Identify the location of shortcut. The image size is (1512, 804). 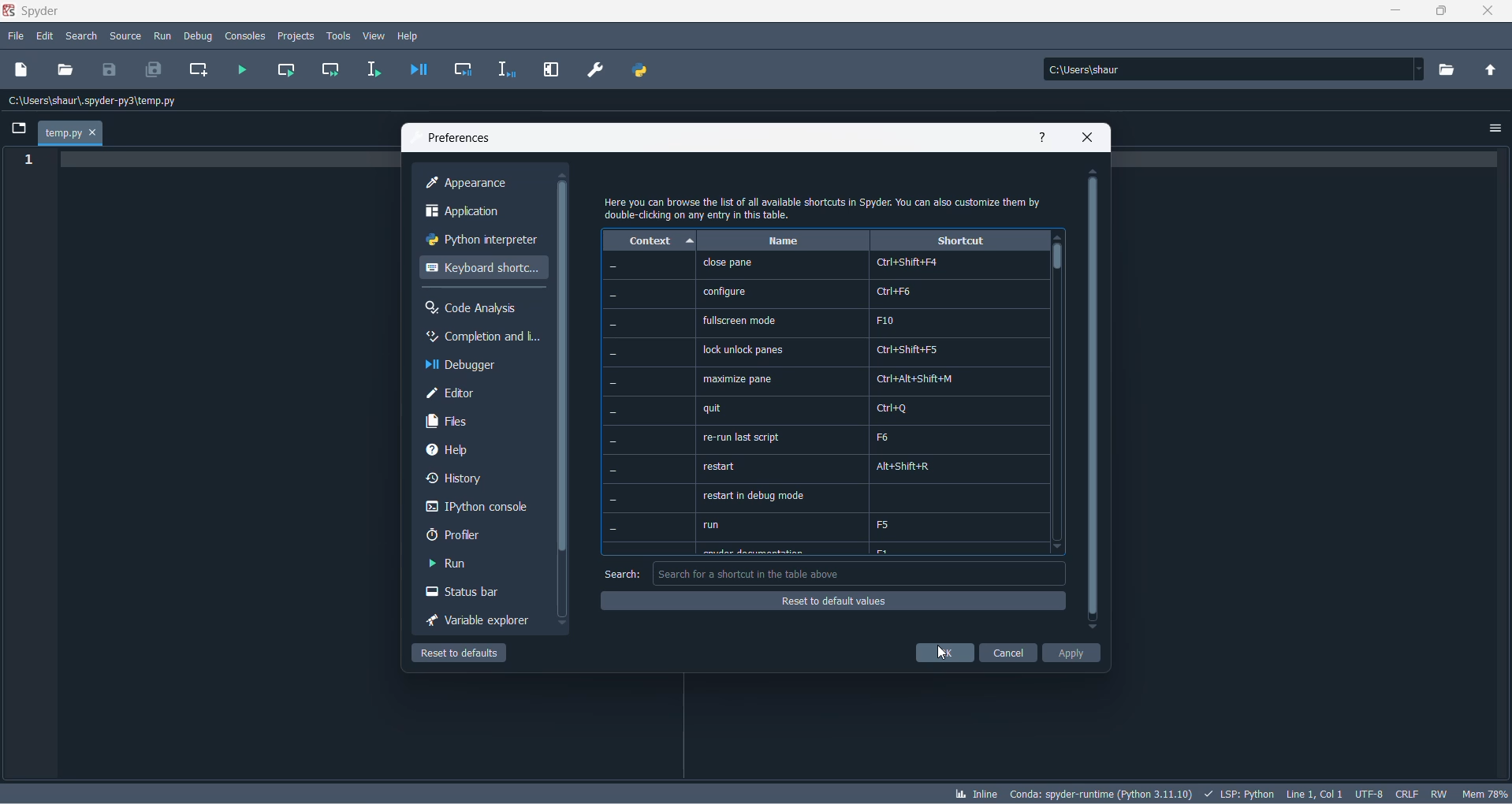
(959, 241).